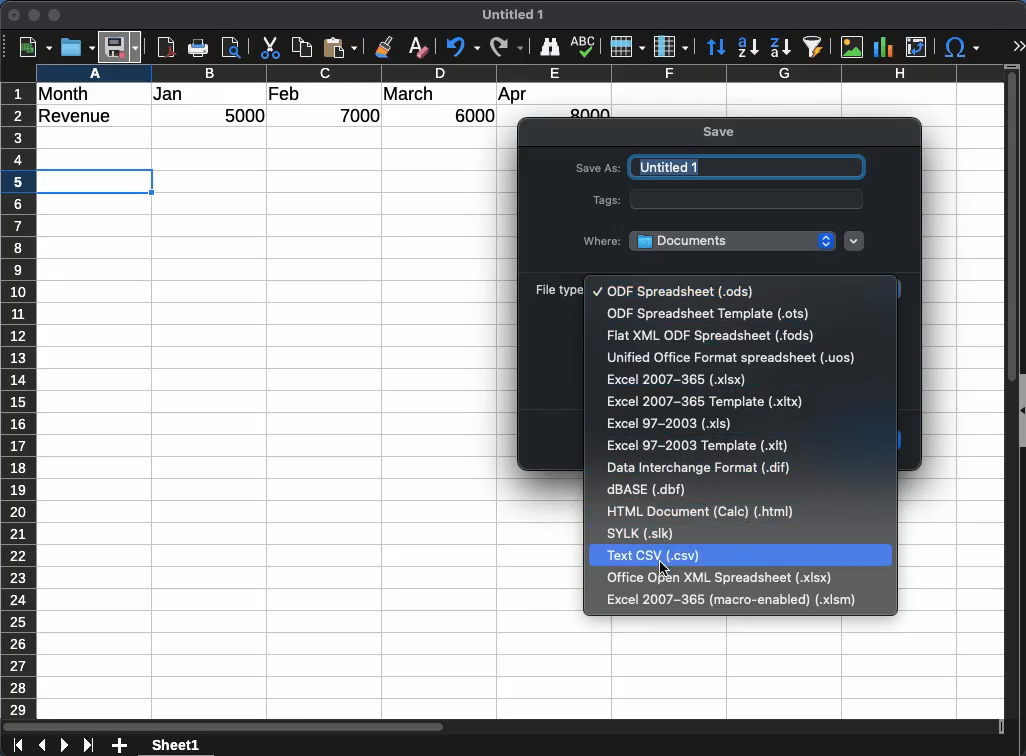 This screenshot has width=1026, height=756. Describe the element at coordinates (166, 48) in the screenshot. I see `pdf reader` at that location.